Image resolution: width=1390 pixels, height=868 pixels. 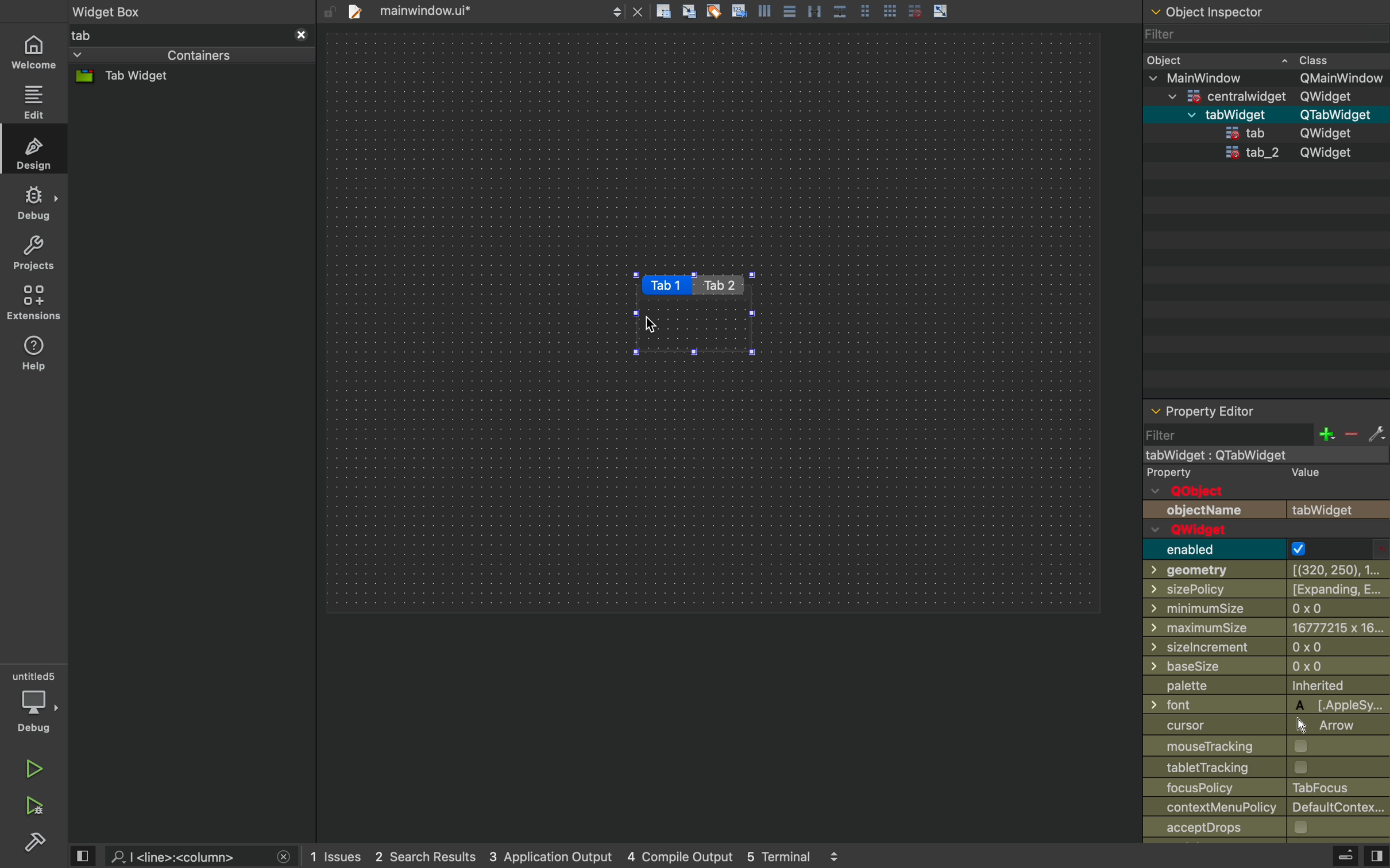 What do you see at coordinates (1350, 435) in the screenshot?
I see `minus` at bounding box center [1350, 435].